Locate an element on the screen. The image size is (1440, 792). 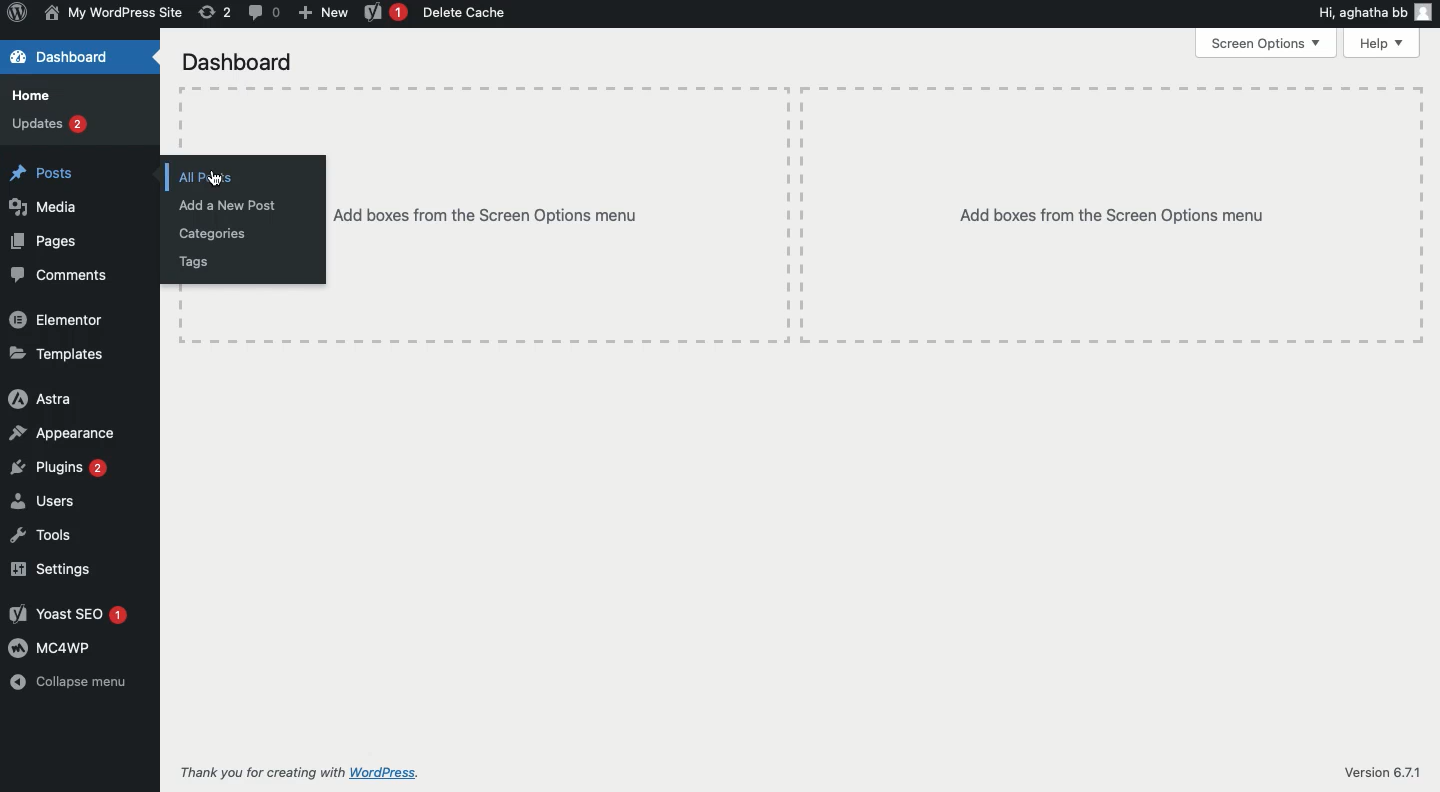
Add a new post is located at coordinates (226, 205).